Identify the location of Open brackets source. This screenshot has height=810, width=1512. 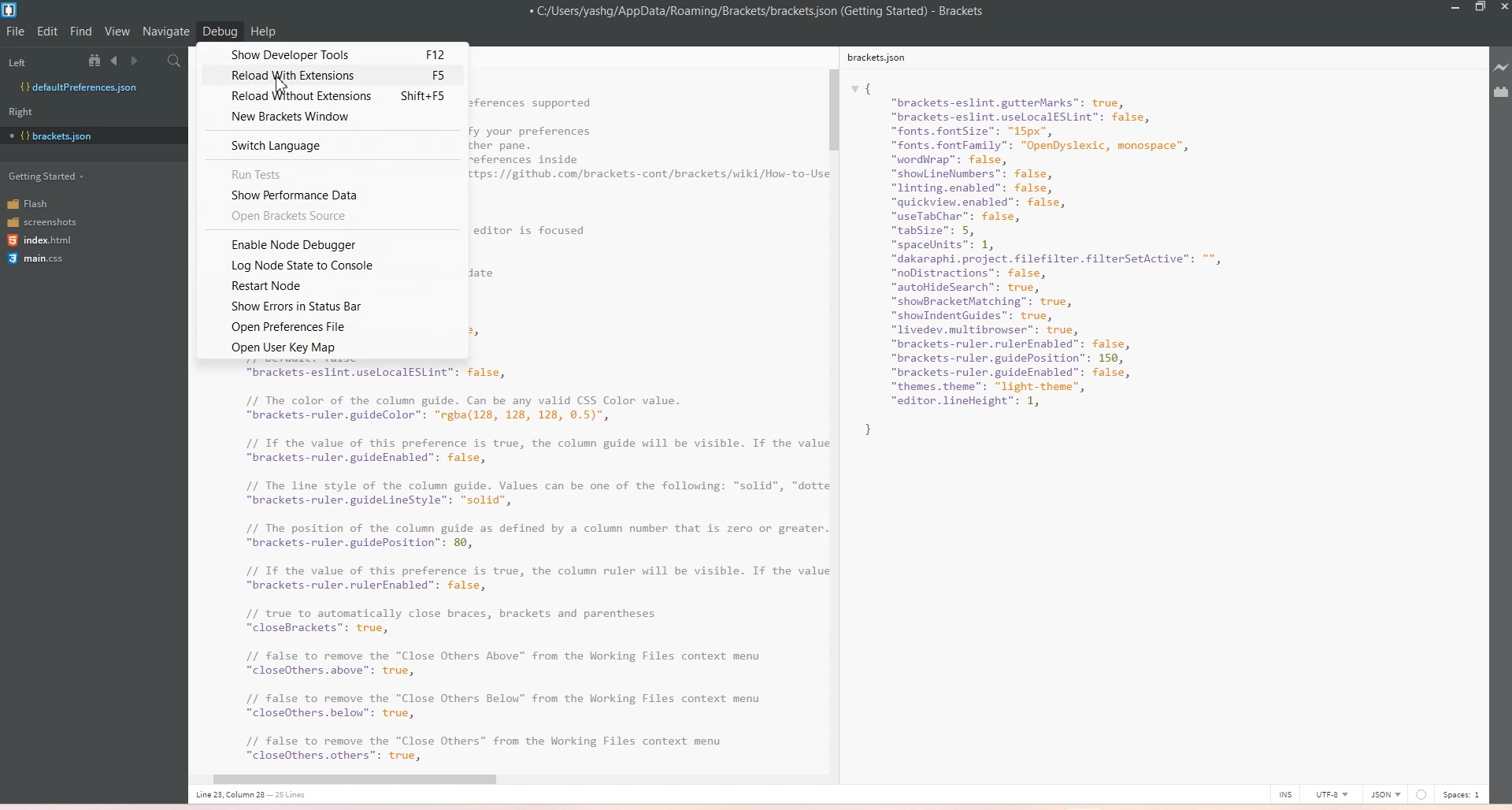
(332, 216).